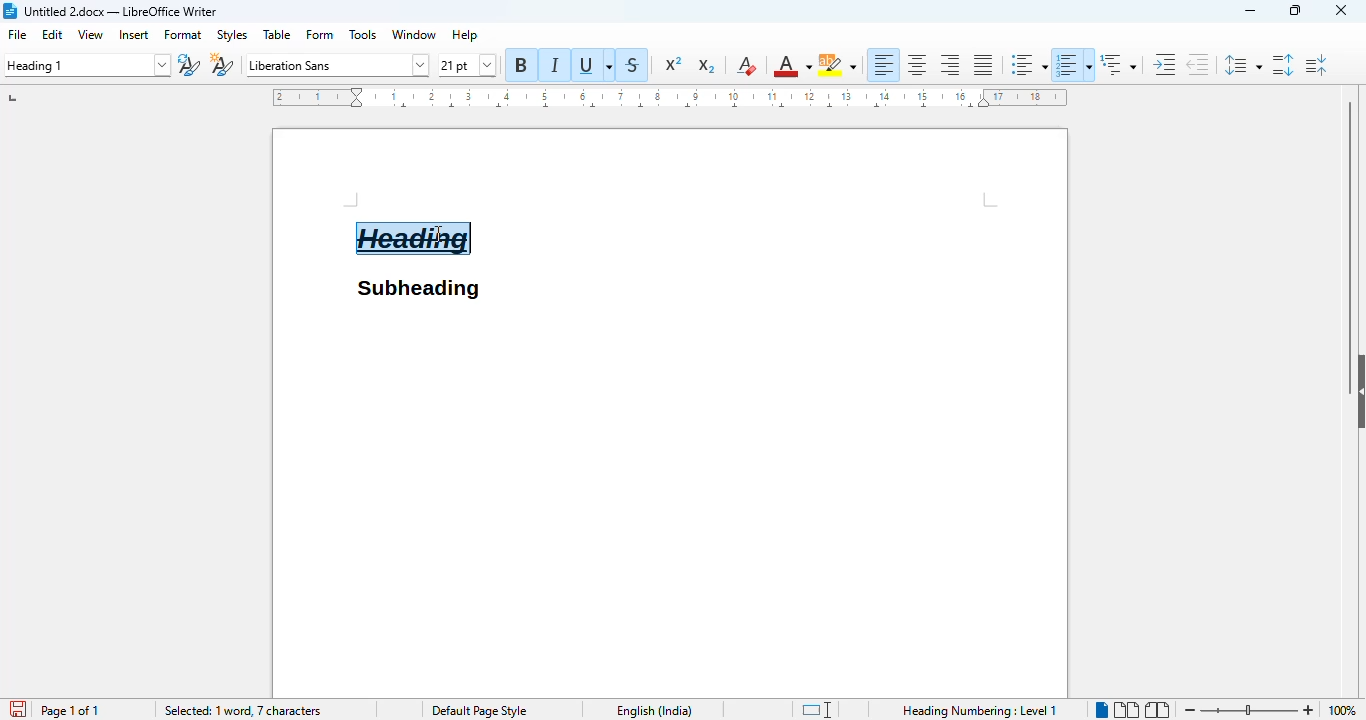 Image resolution: width=1366 pixels, height=720 pixels. I want to click on align center, so click(917, 64).